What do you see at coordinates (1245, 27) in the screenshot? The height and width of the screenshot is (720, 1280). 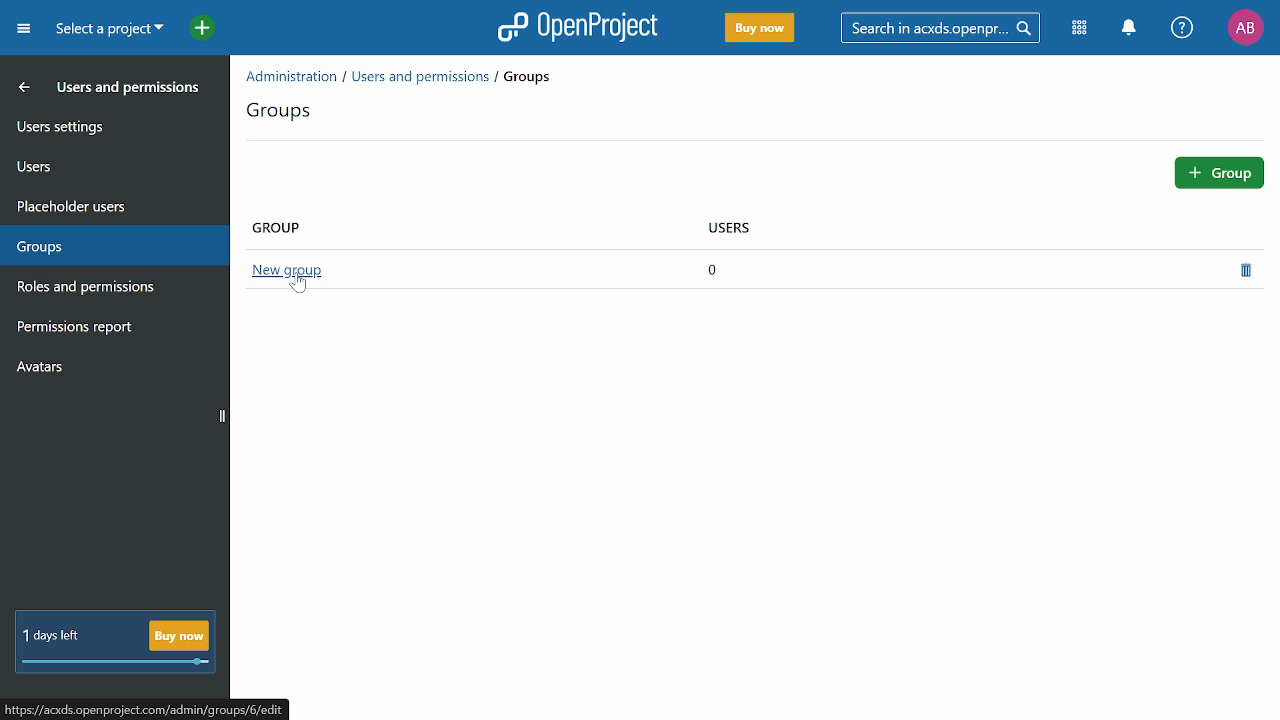 I see `Profile` at bounding box center [1245, 27].